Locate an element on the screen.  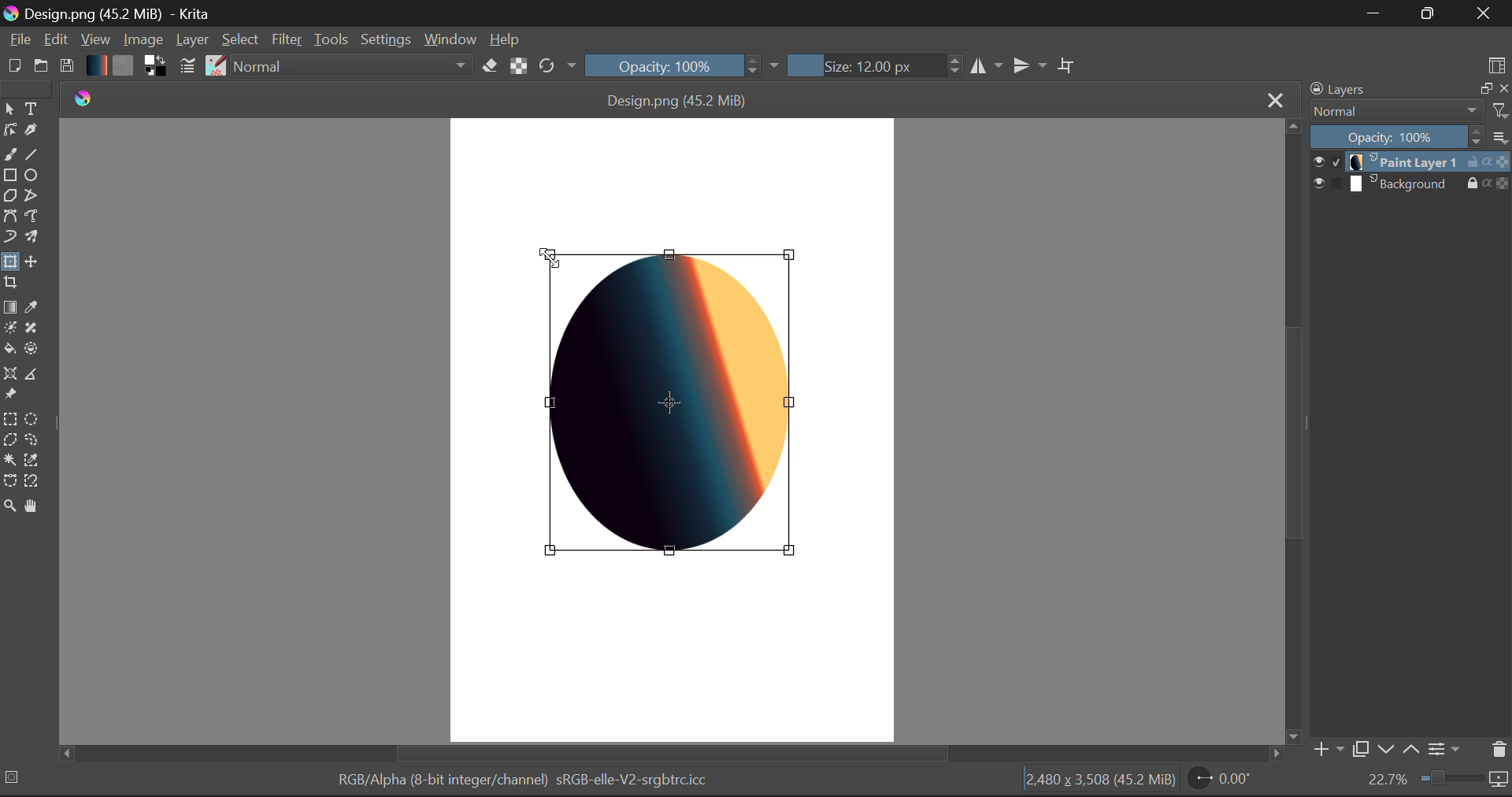
Freehand is located at coordinates (10, 154).